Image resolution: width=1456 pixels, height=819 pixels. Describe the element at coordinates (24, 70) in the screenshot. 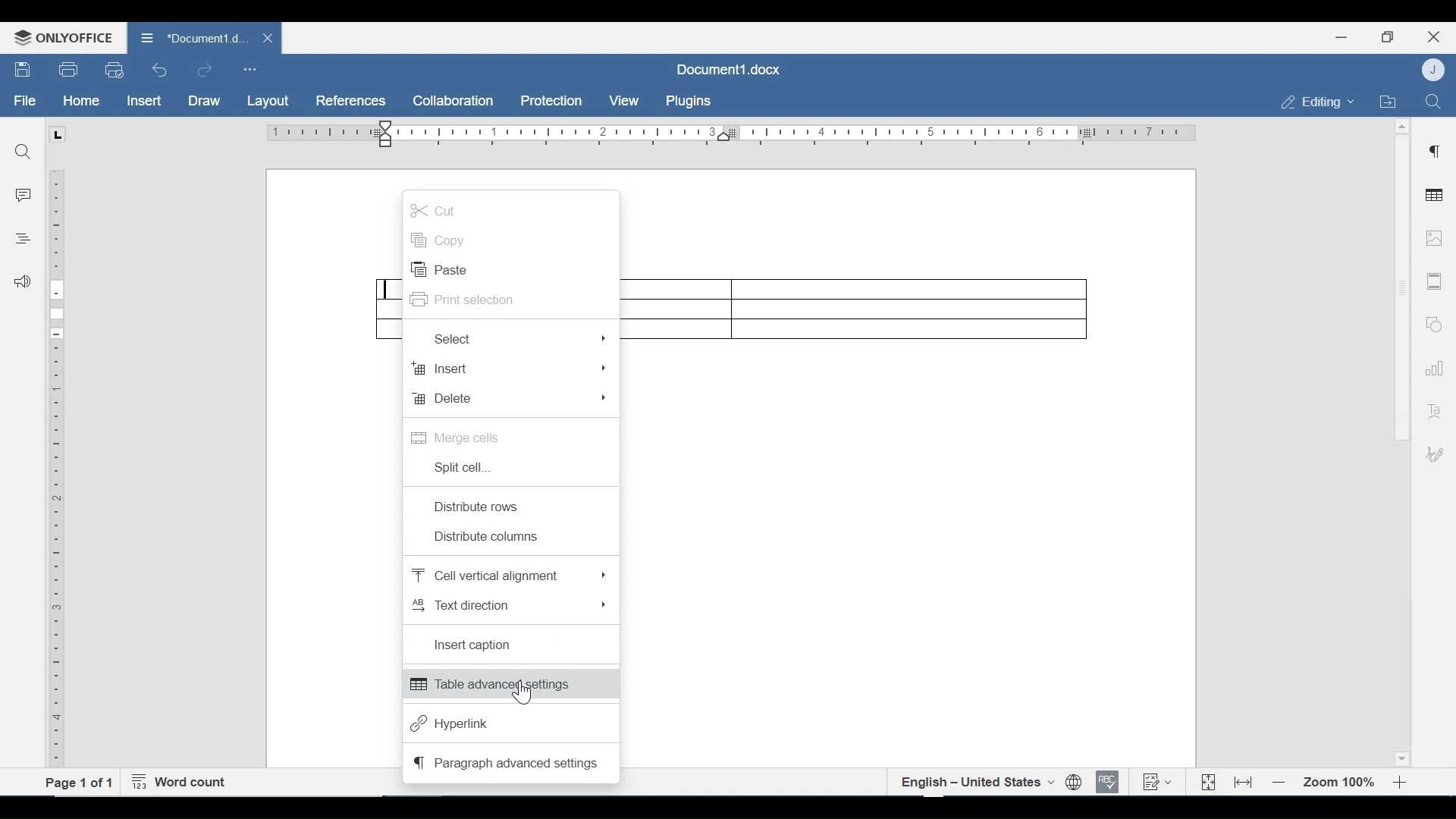

I see `Save` at that location.